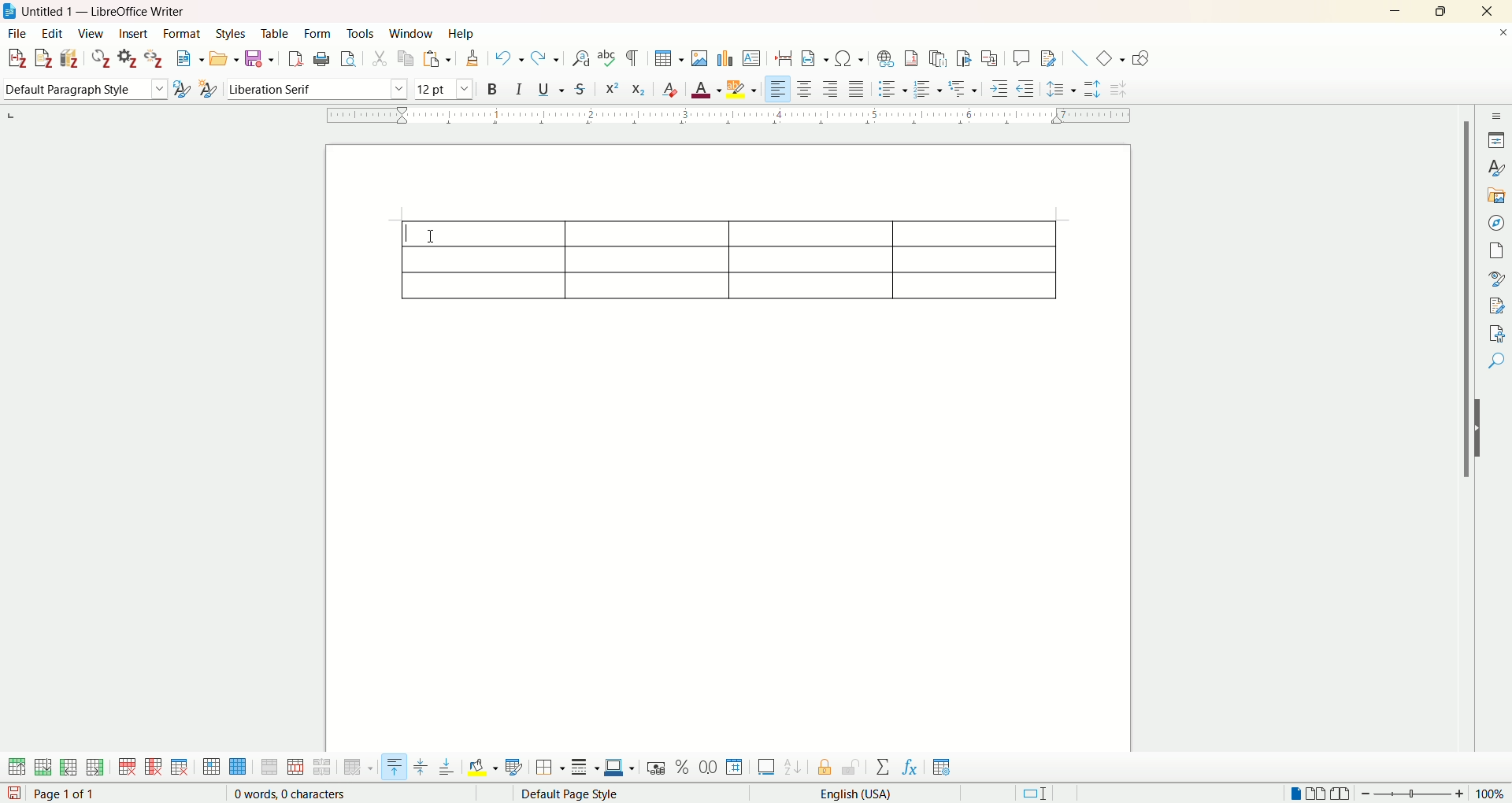 Image resolution: width=1512 pixels, height=803 pixels. Describe the element at coordinates (437, 58) in the screenshot. I see `paste` at that location.